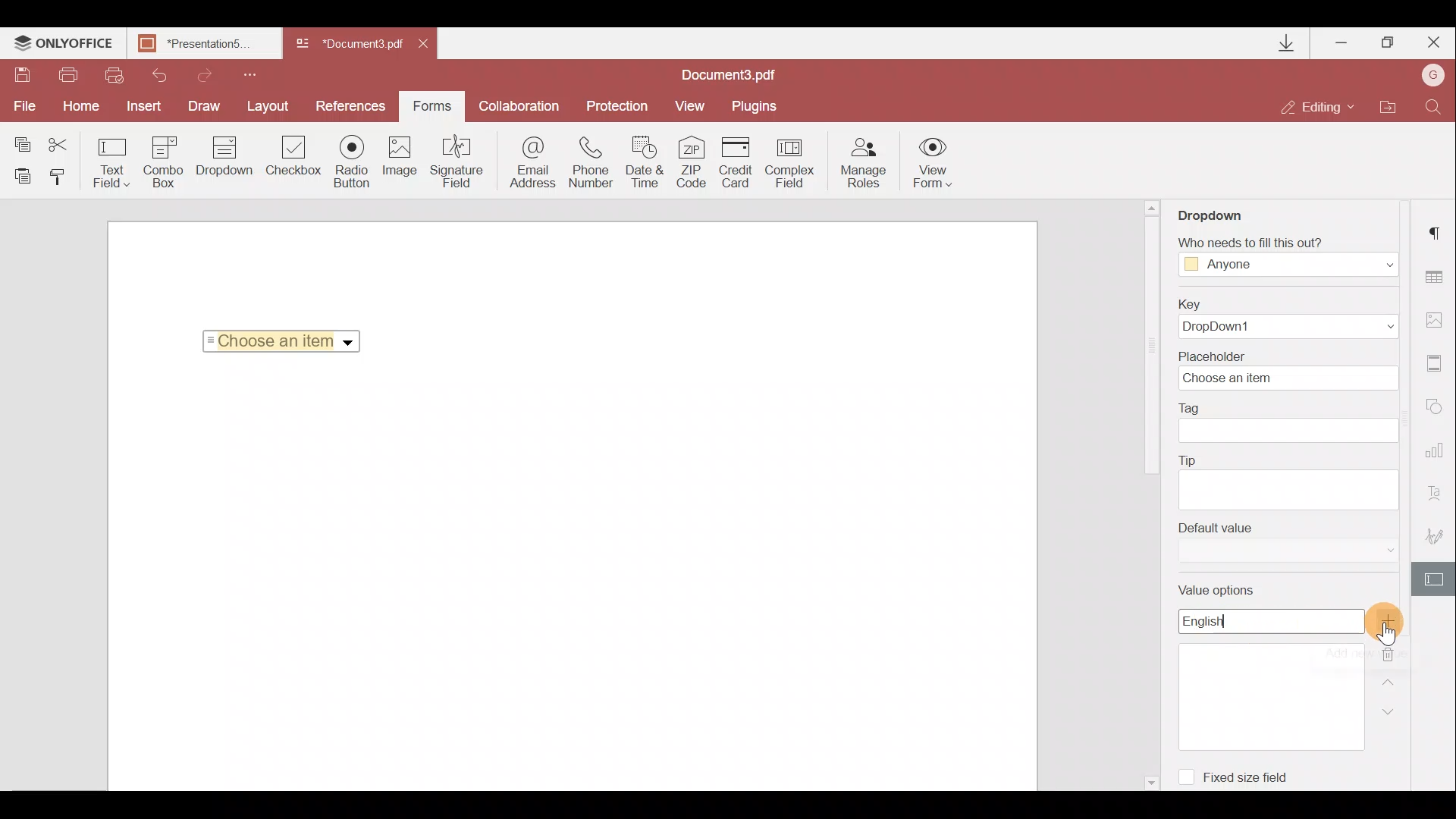 This screenshot has width=1456, height=819. I want to click on Key, so click(1282, 318).